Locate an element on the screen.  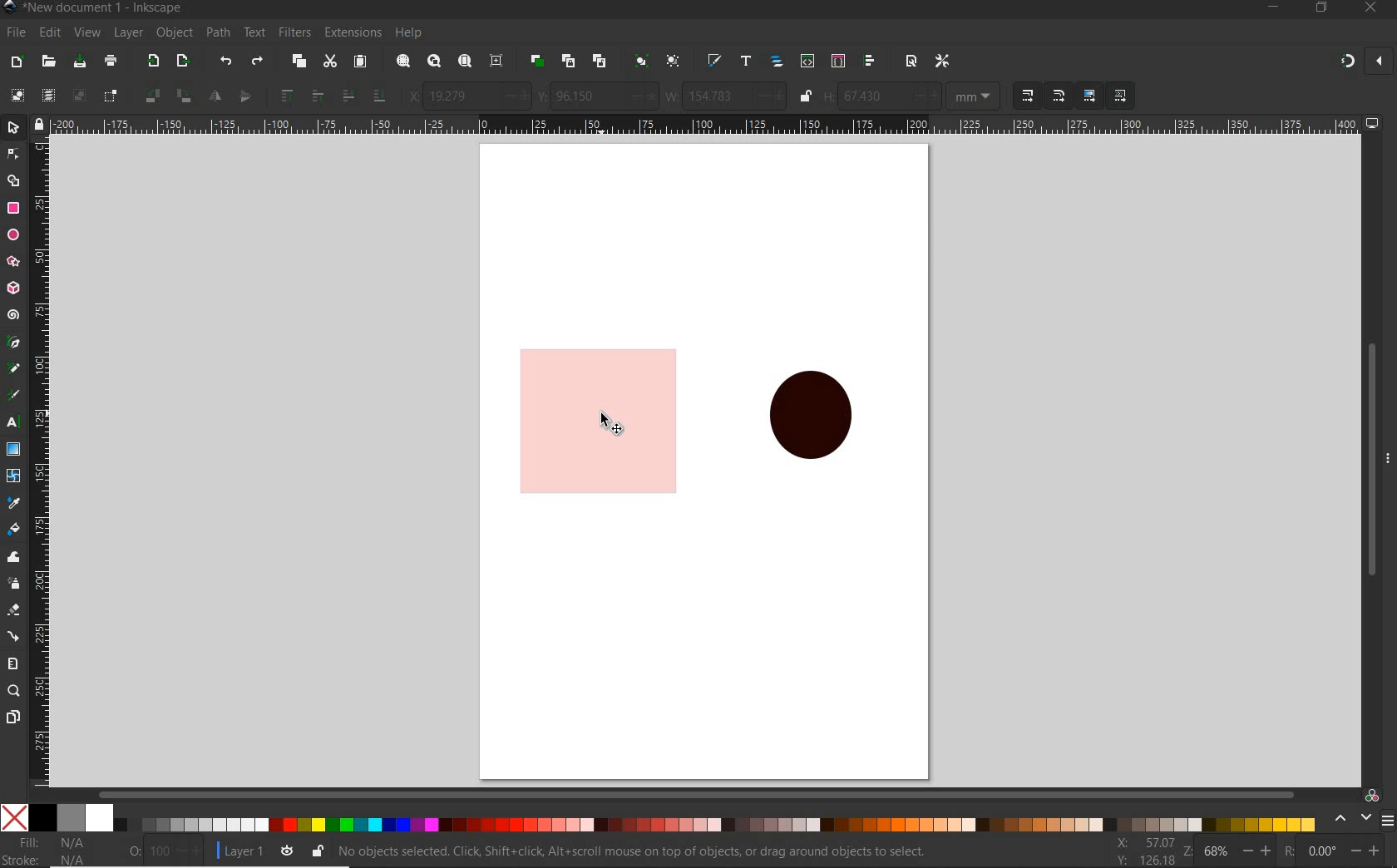
layer 1 is located at coordinates (257, 850).